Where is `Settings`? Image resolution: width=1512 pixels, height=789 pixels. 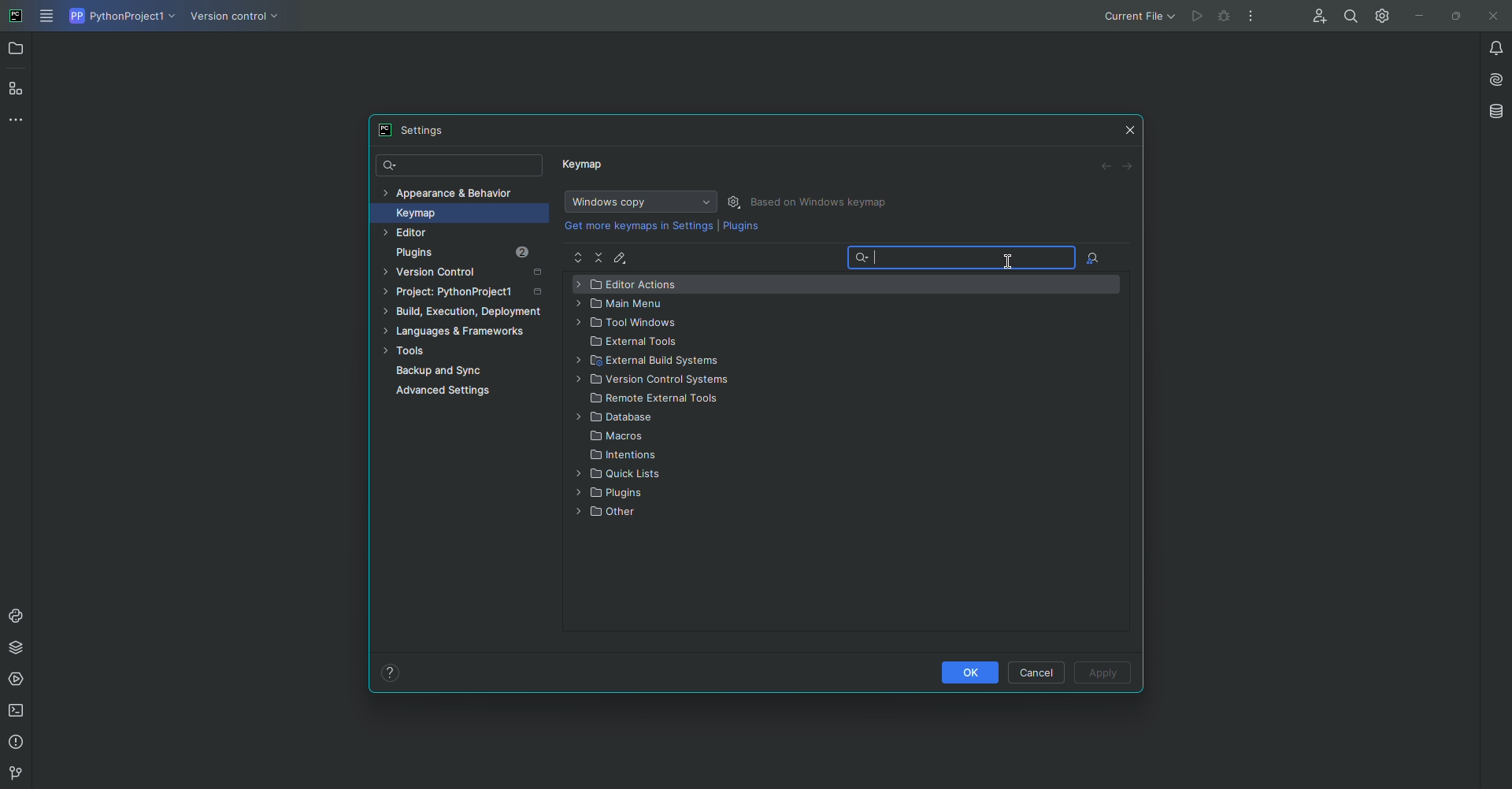
Settings is located at coordinates (418, 130).